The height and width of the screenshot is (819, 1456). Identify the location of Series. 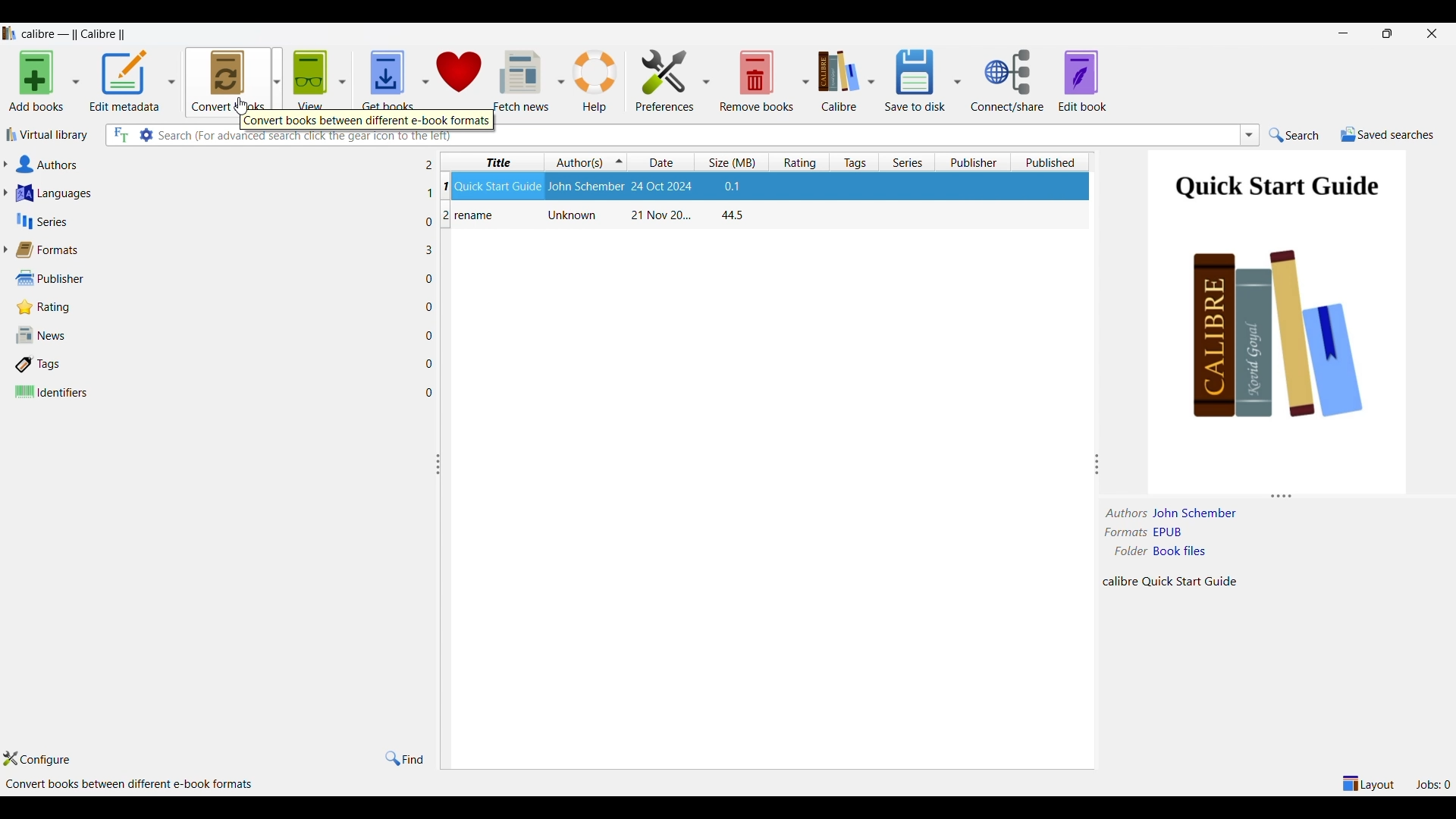
(215, 221).